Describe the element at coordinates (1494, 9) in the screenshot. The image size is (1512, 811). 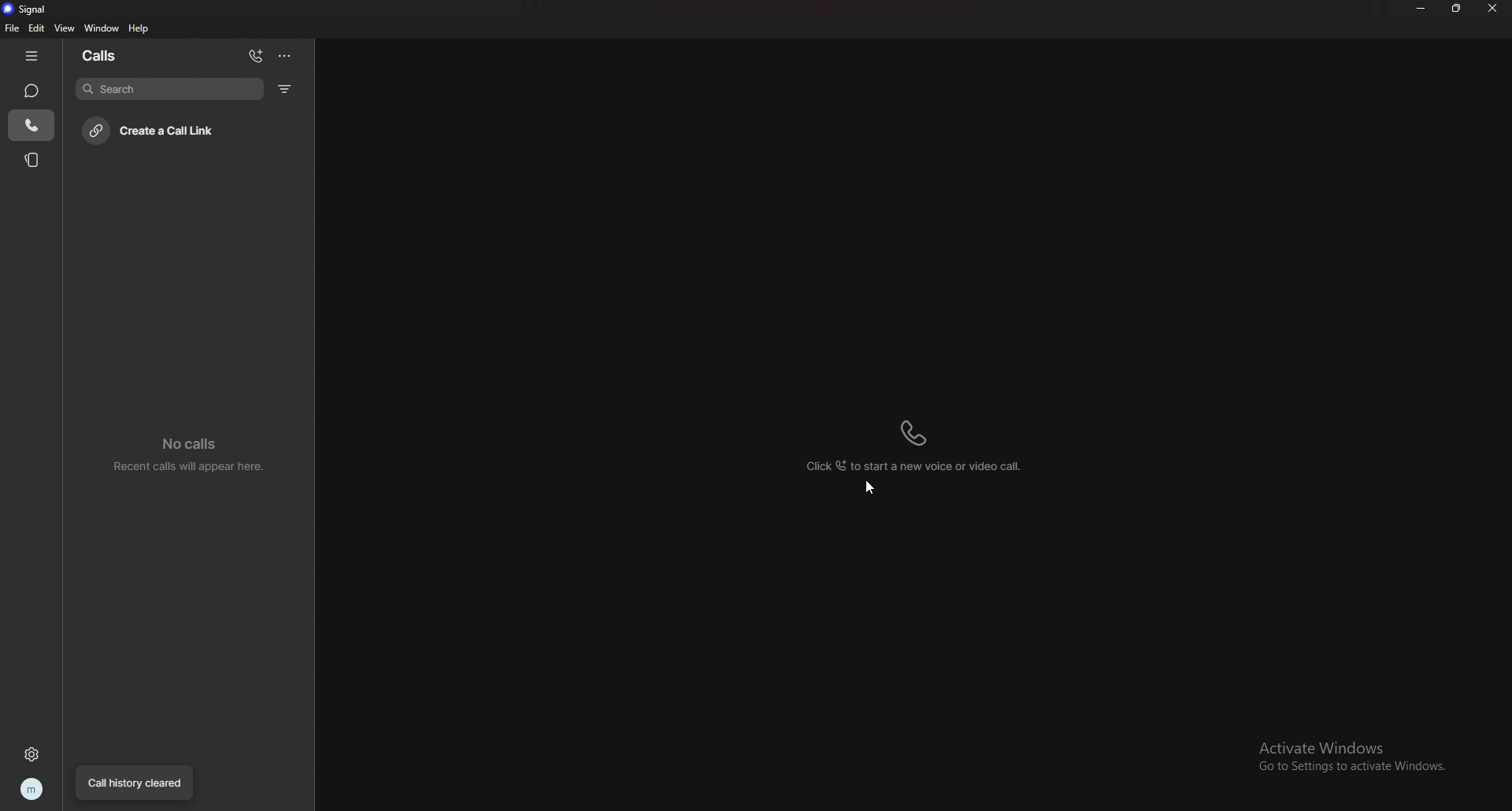
I see `close` at that location.